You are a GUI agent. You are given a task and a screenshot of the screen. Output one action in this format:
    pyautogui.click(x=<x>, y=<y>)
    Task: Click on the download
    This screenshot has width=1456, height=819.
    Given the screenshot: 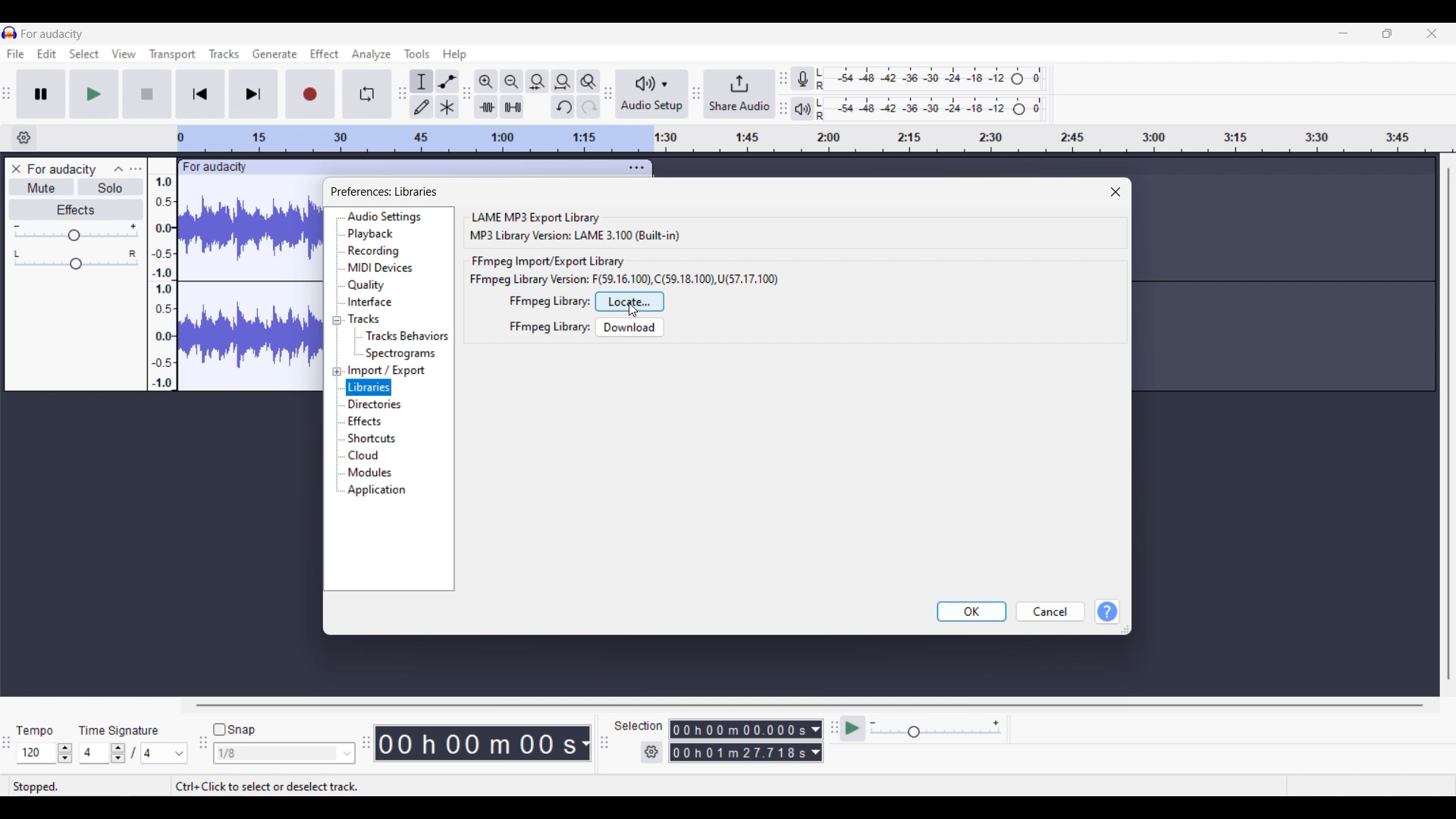 What is the action you would take?
    pyautogui.click(x=630, y=327)
    